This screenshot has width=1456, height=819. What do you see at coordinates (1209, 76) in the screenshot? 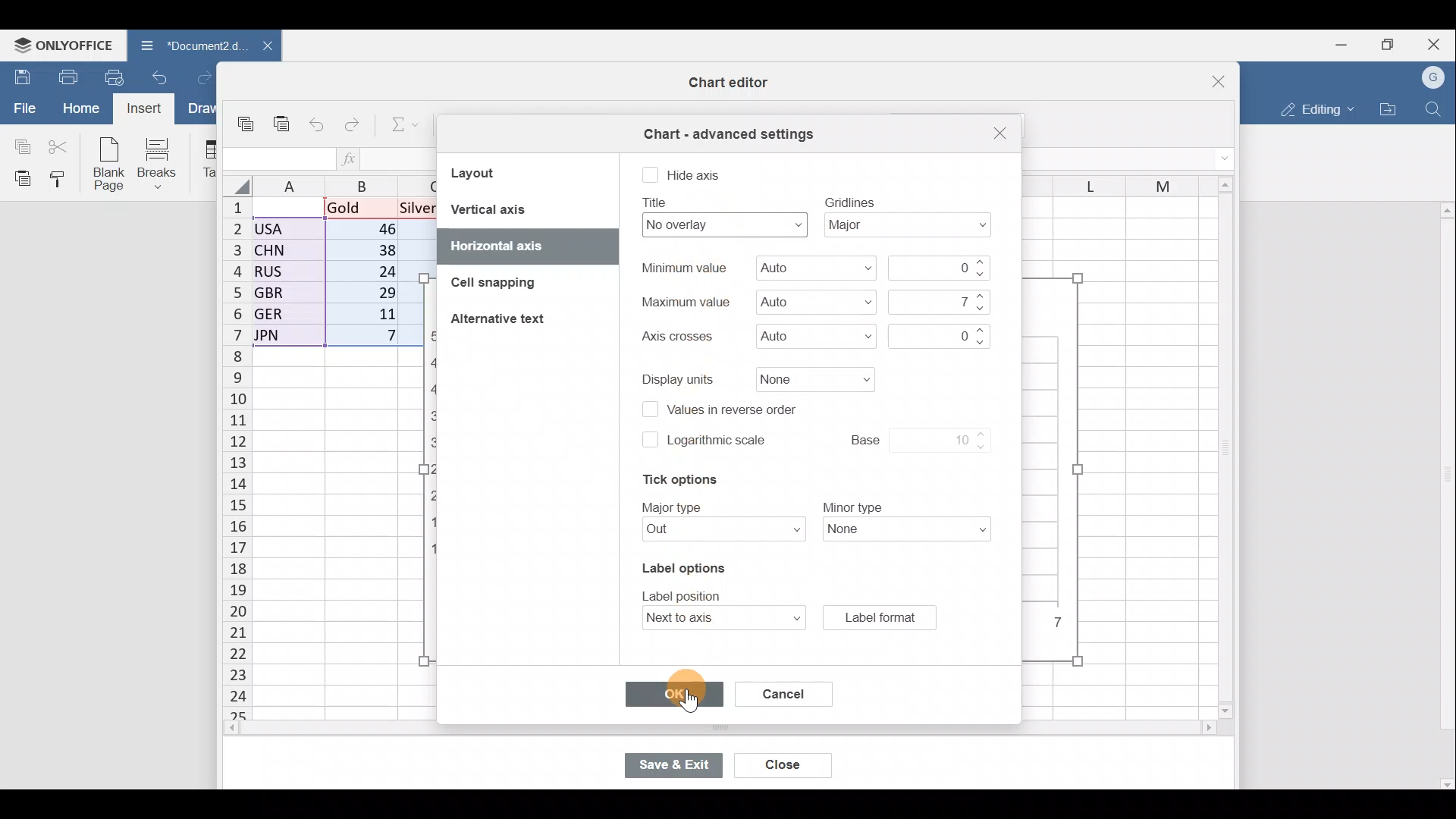
I see `Close` at bounding box center [1209, 76].